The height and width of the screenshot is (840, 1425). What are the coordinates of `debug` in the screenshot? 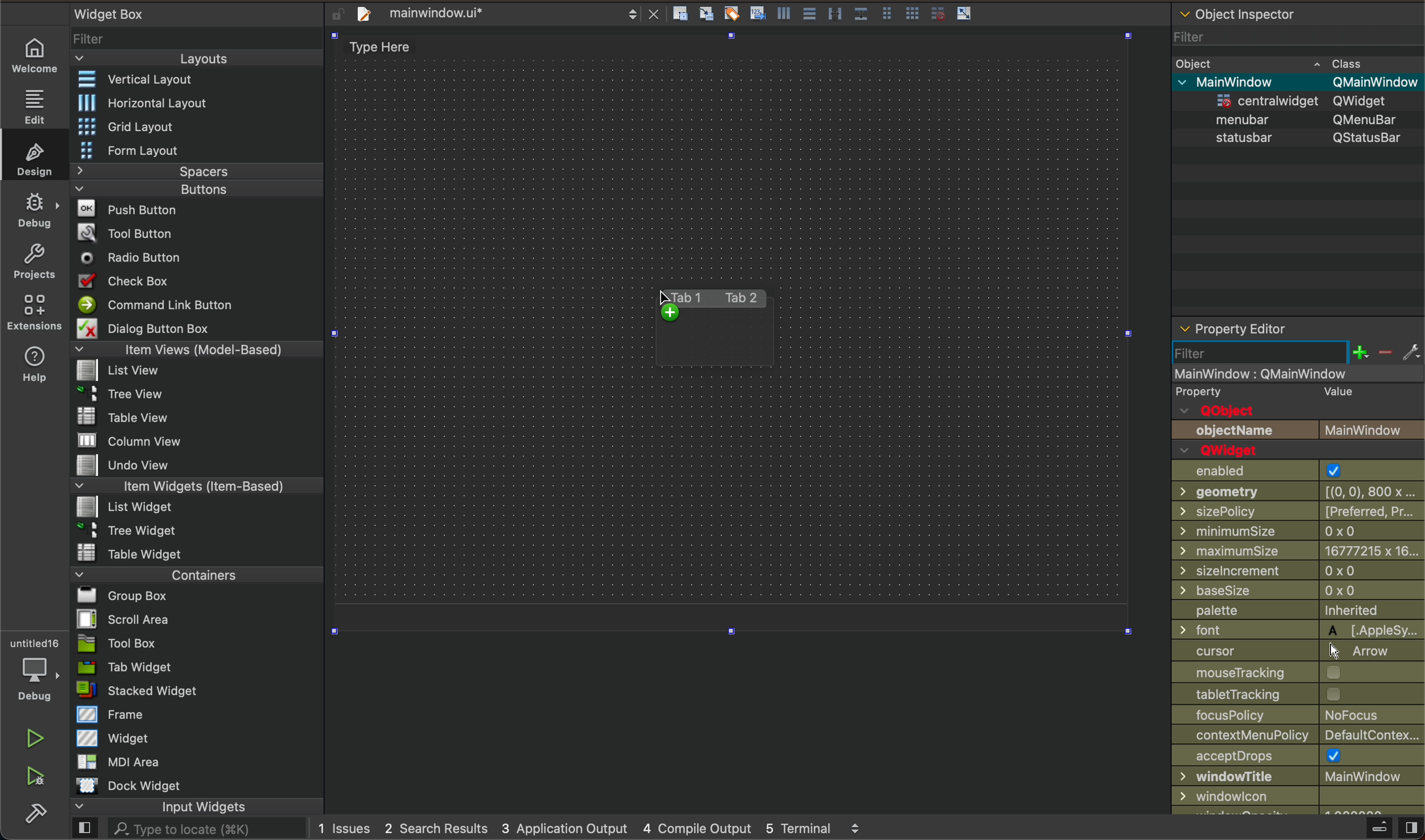 It's located at (35, 209).